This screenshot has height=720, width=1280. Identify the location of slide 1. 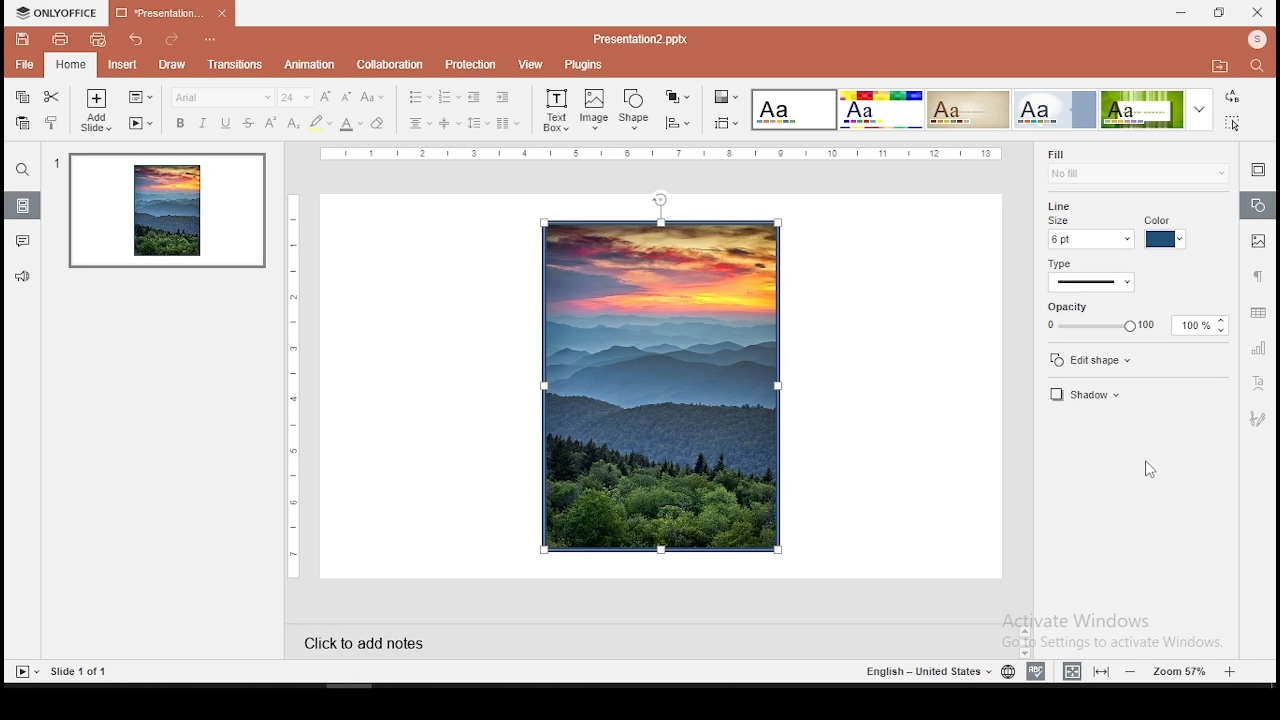
(167, 213).